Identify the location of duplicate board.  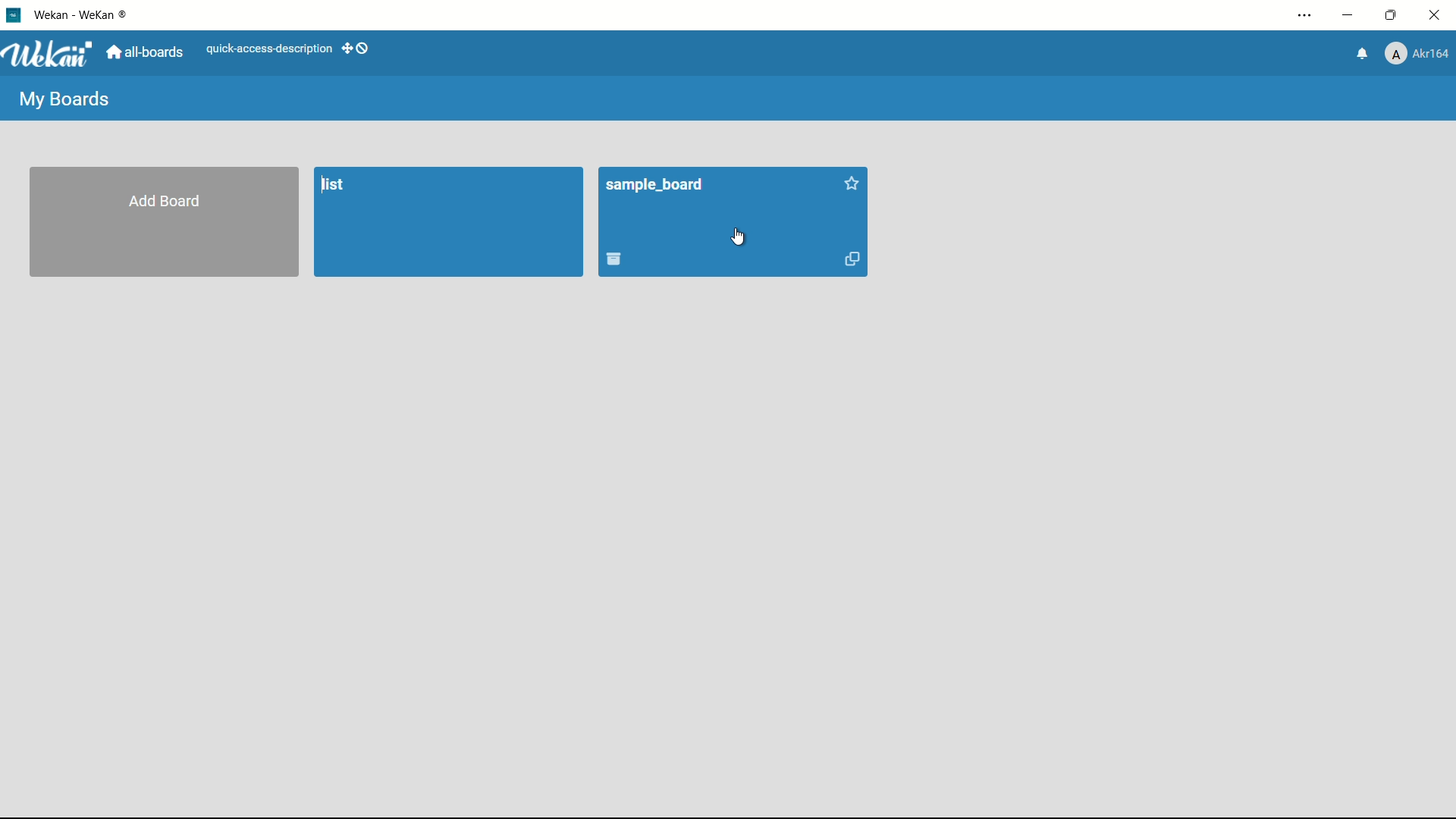
(852, 259).